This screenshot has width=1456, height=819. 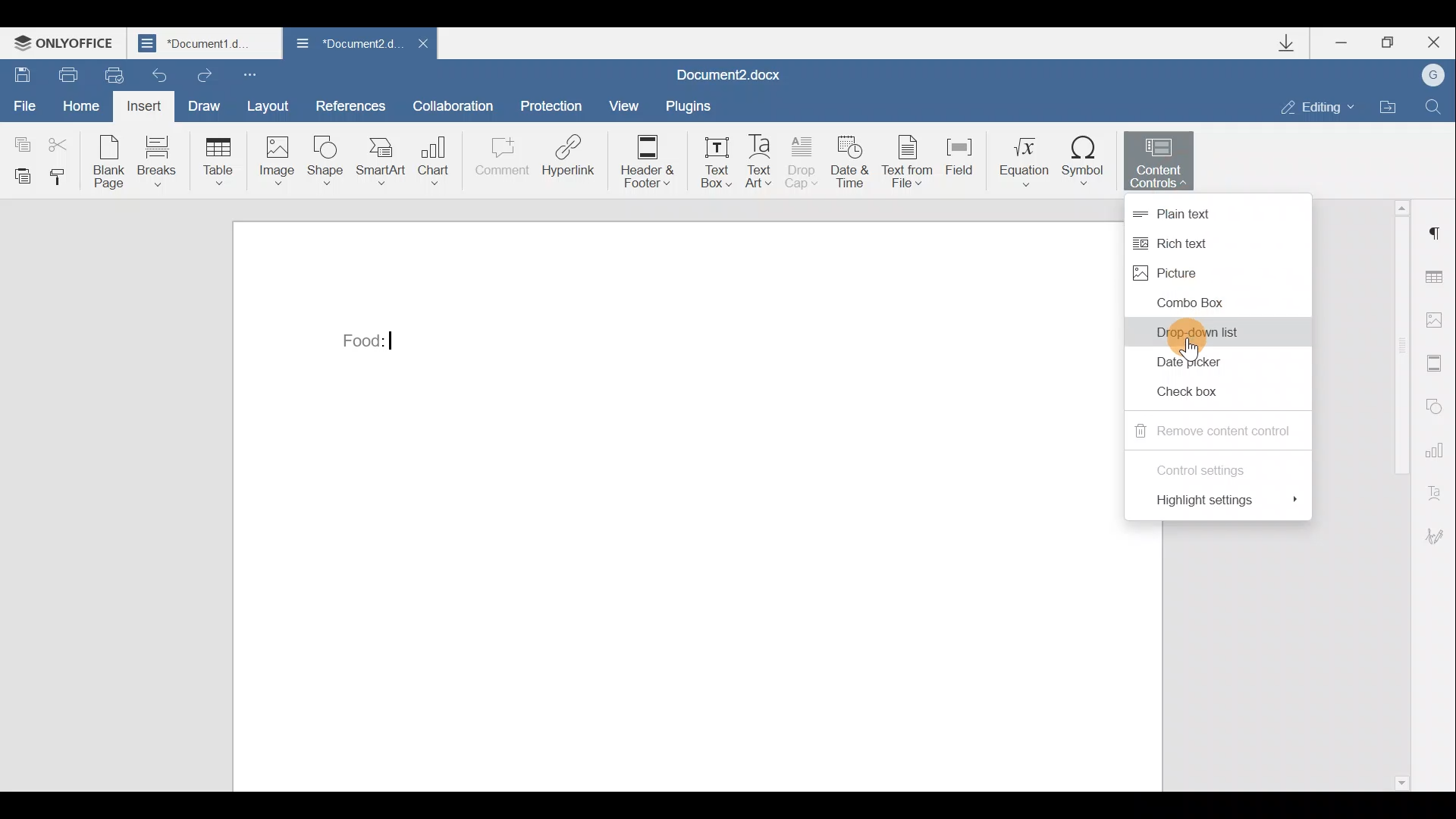 I want to click on References, so click(x=350, y=104).